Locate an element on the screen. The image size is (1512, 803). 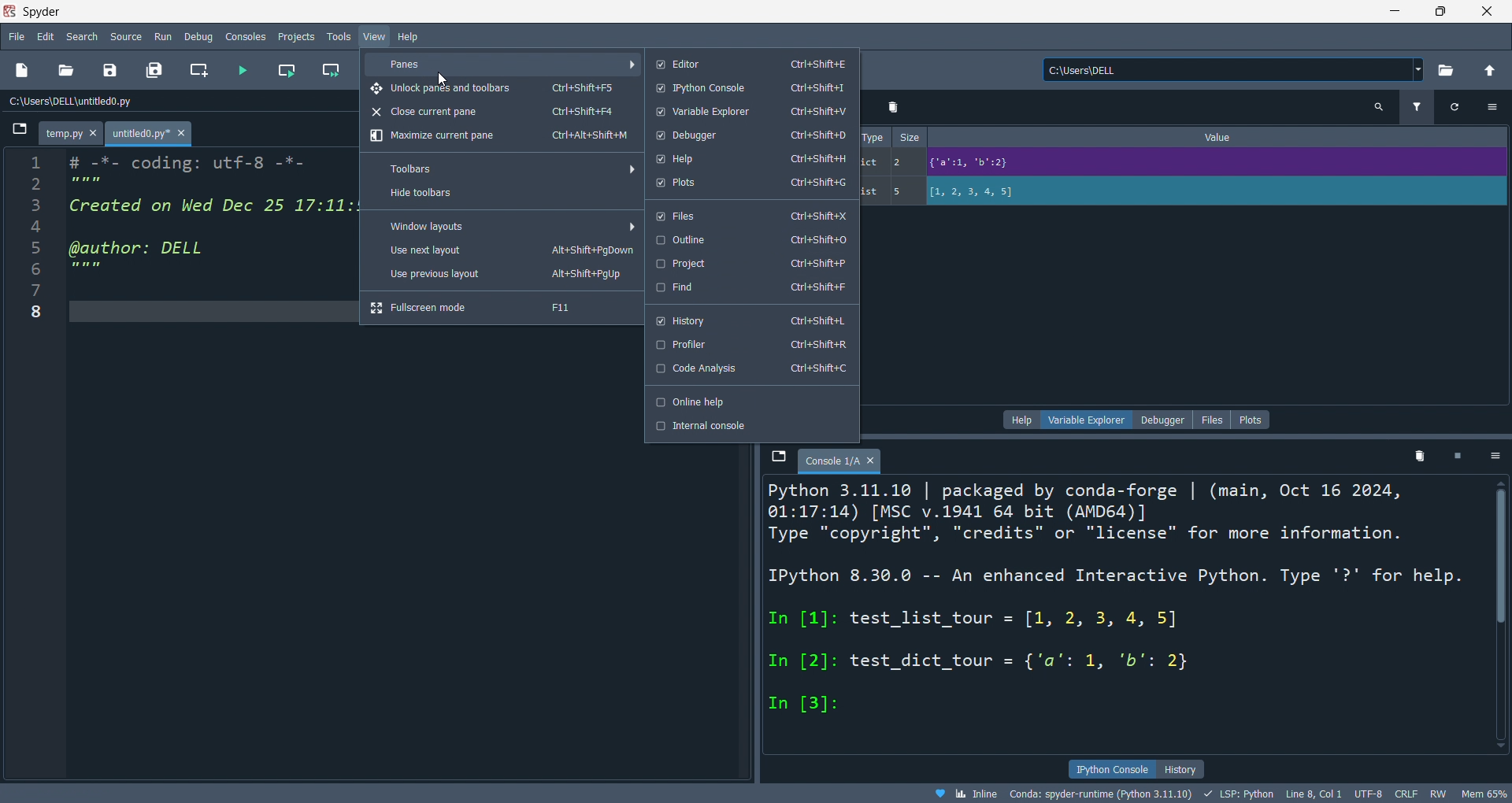
close pane is located at coordinates (498, 111).